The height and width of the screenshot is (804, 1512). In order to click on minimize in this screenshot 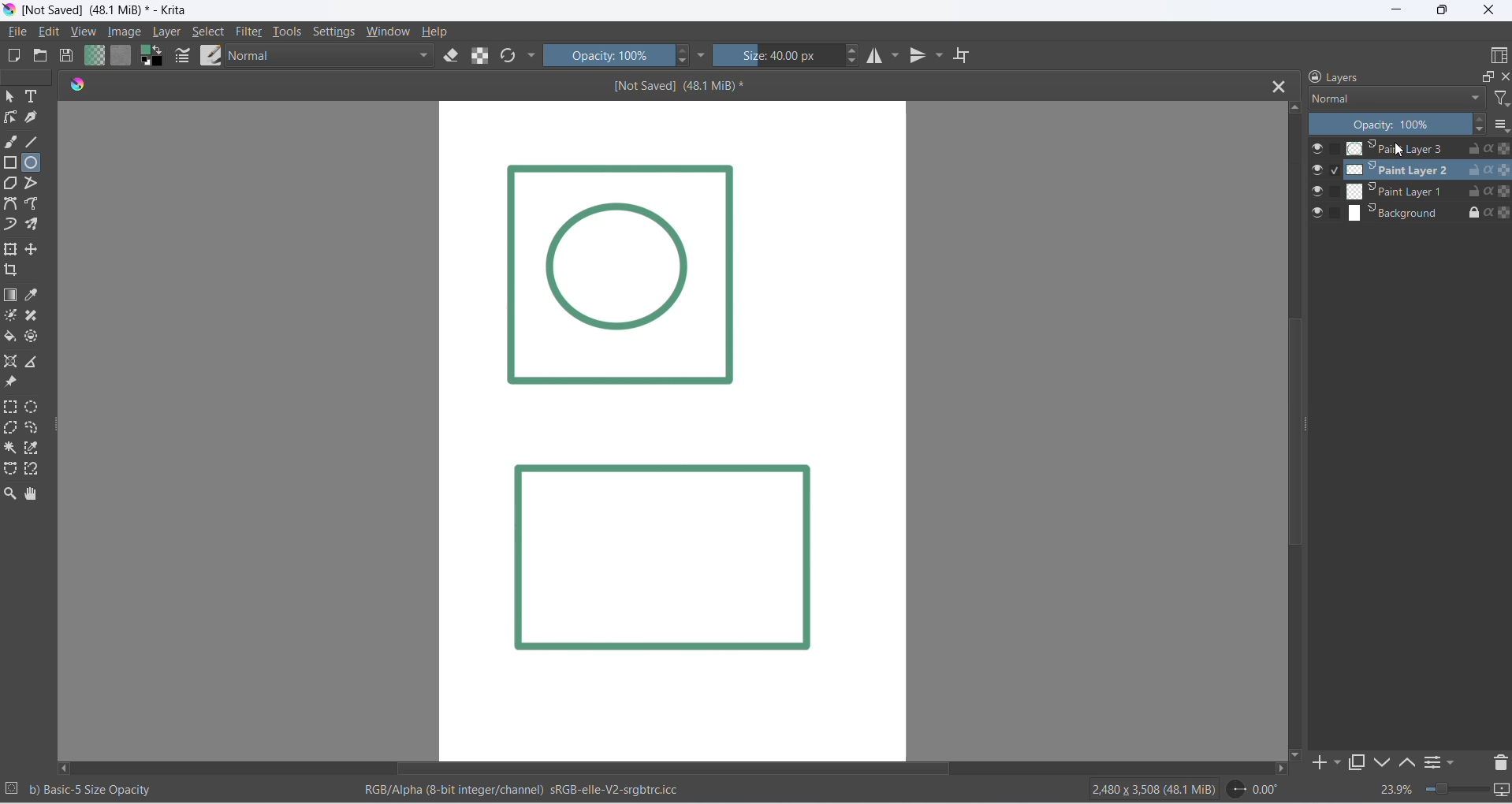, I will do `click(1394, 12)`.